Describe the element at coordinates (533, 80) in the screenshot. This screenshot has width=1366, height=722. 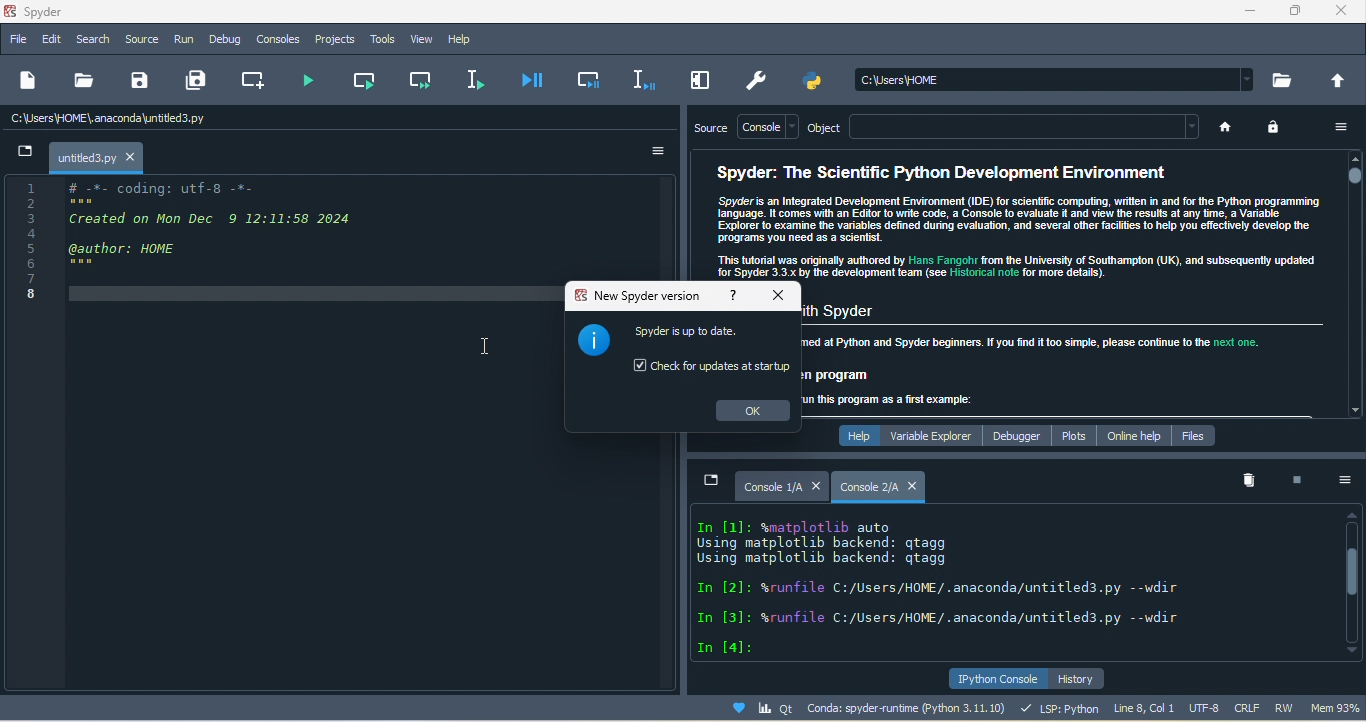
I see `debug file` at that location.